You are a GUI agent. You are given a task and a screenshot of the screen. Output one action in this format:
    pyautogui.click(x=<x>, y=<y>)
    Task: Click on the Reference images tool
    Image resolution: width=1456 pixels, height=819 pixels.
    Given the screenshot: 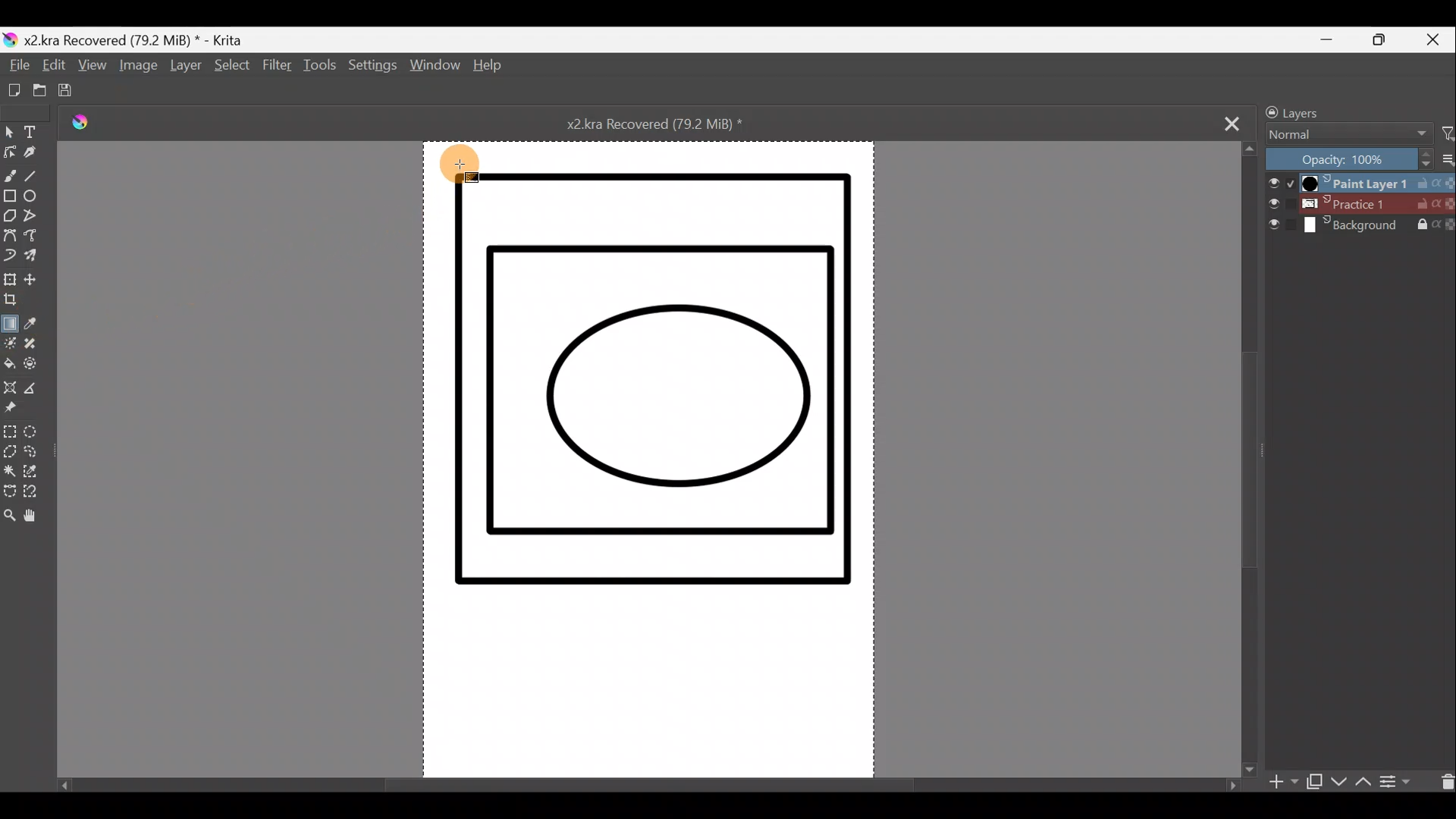 What is the action you would take?
    pyautogui.click(x=11, y=413)
    